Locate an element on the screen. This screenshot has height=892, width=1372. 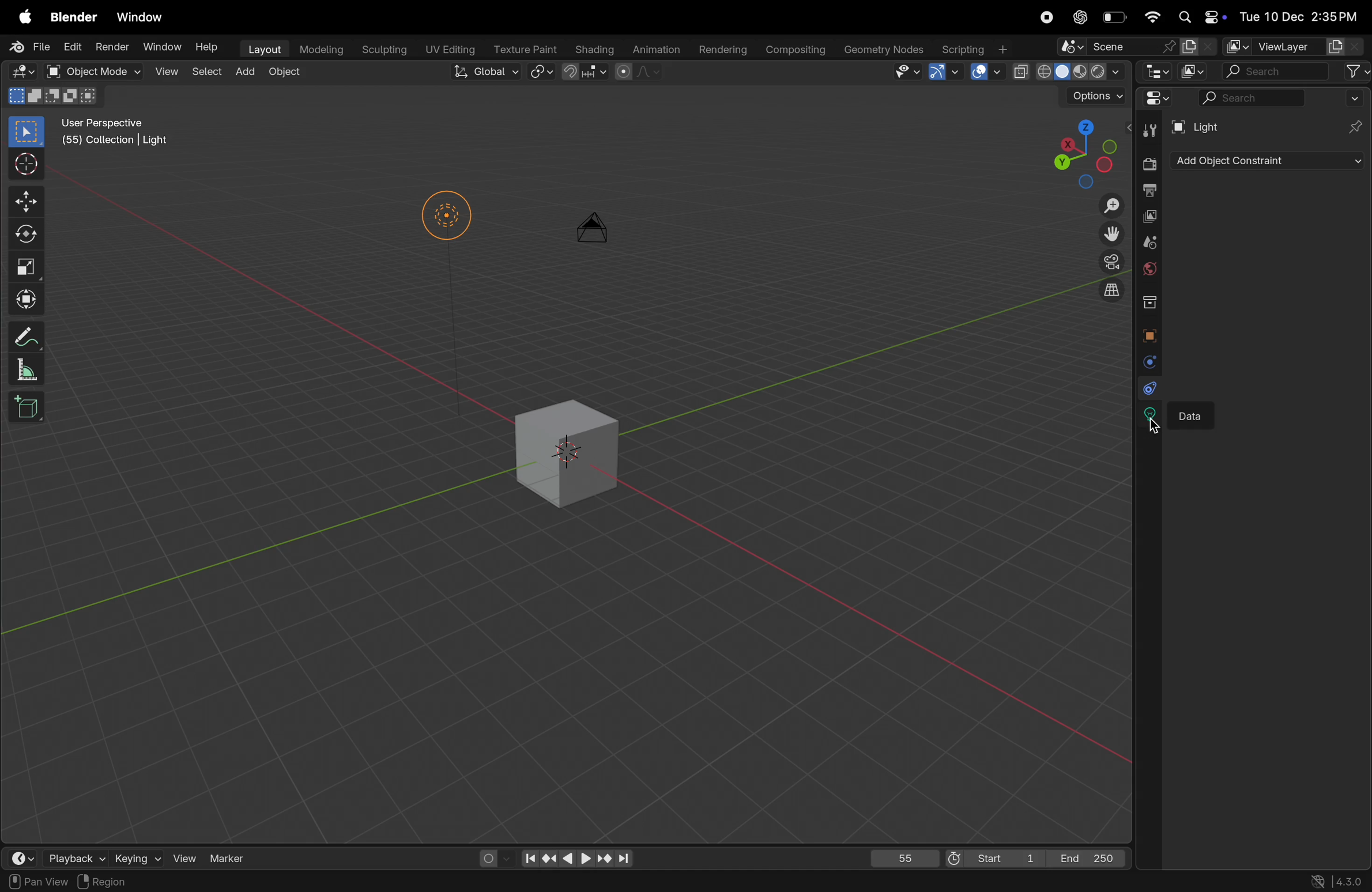
rotate is located at coordinates (26, 237).